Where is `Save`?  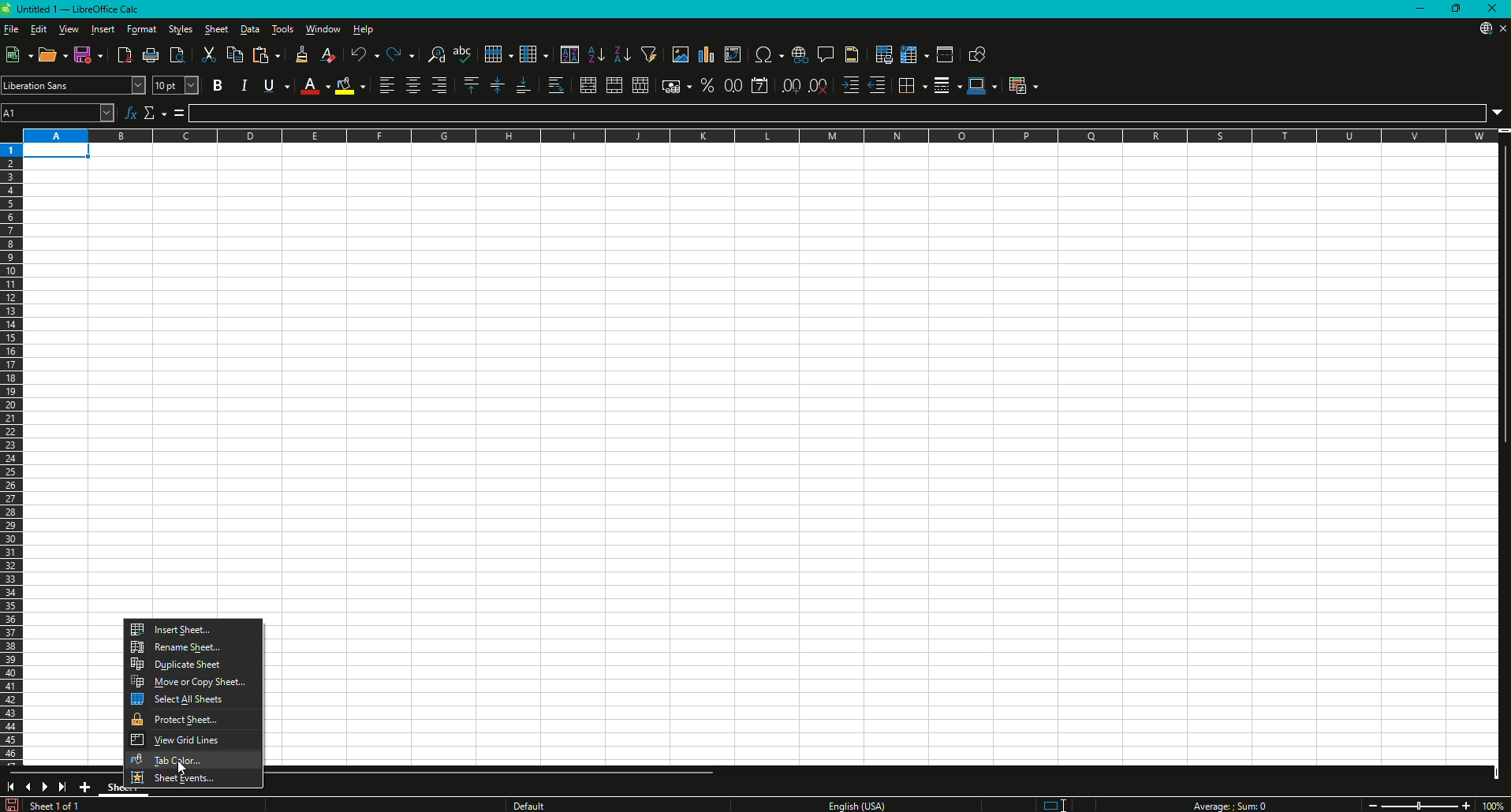
Save is located at coordinates (90, 54).